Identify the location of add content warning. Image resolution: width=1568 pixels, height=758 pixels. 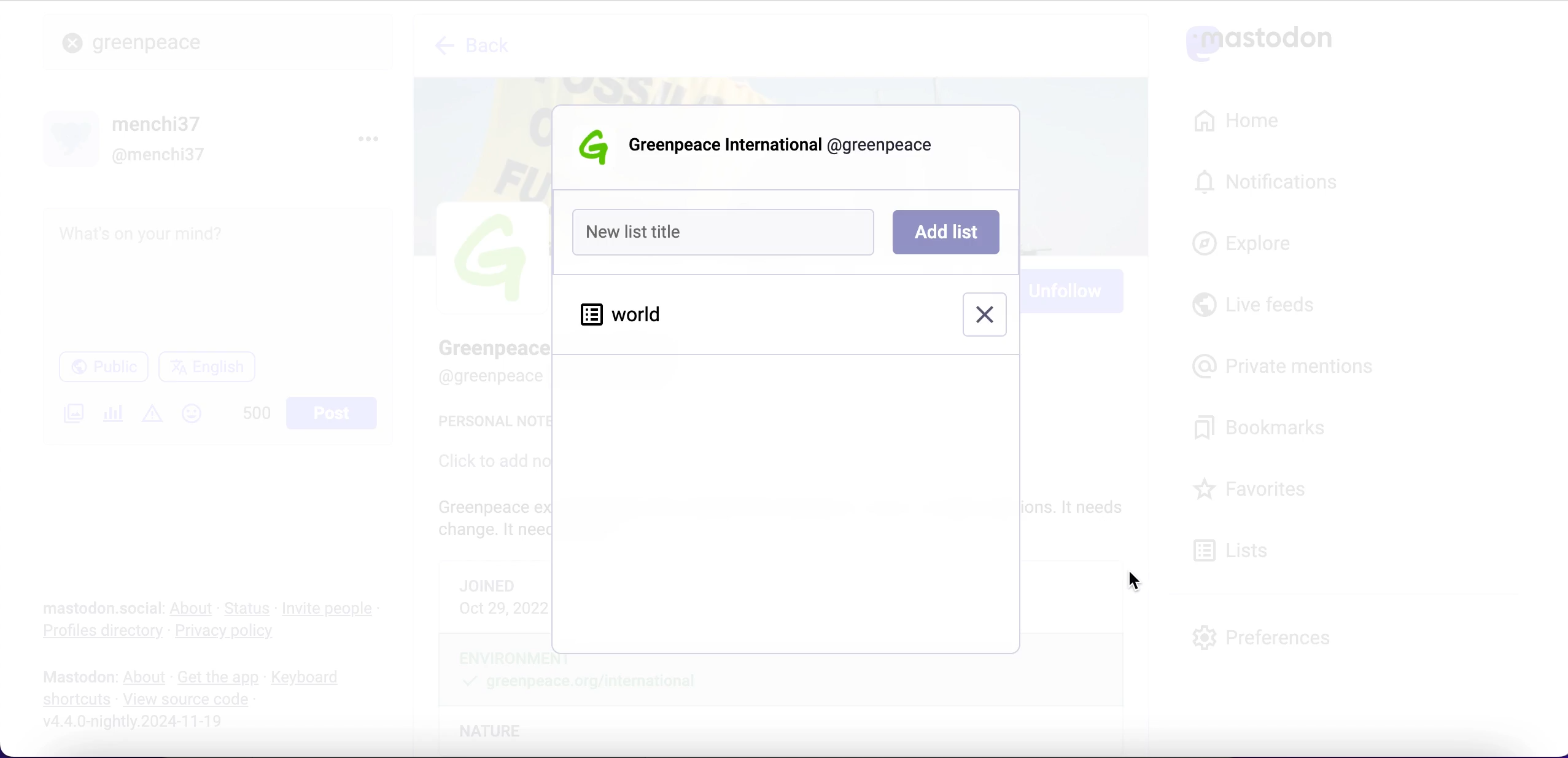
(155, 415).